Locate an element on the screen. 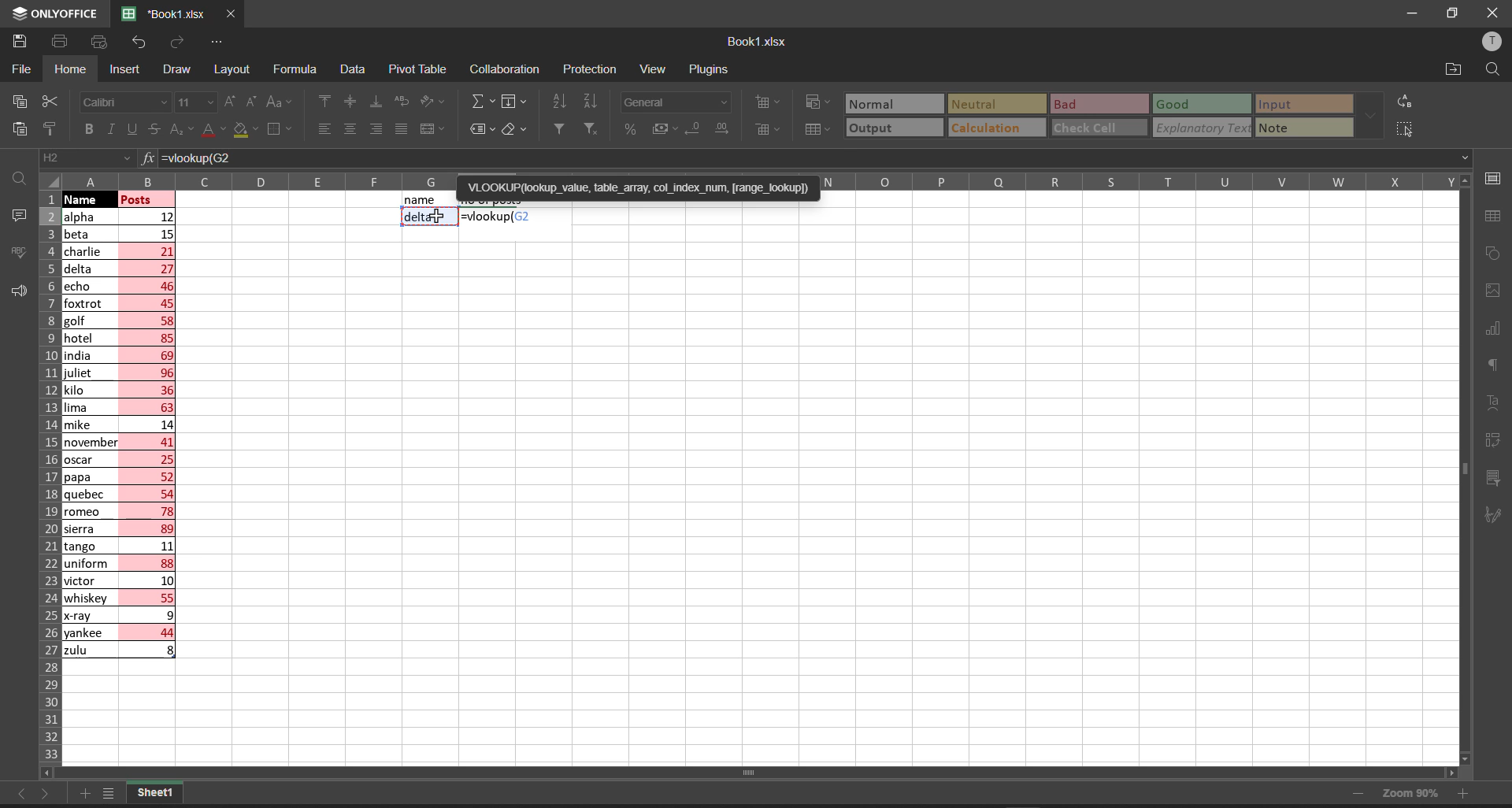 The height and width of the screenshot is (808, 1512). print is located at coordinates (61, 43).